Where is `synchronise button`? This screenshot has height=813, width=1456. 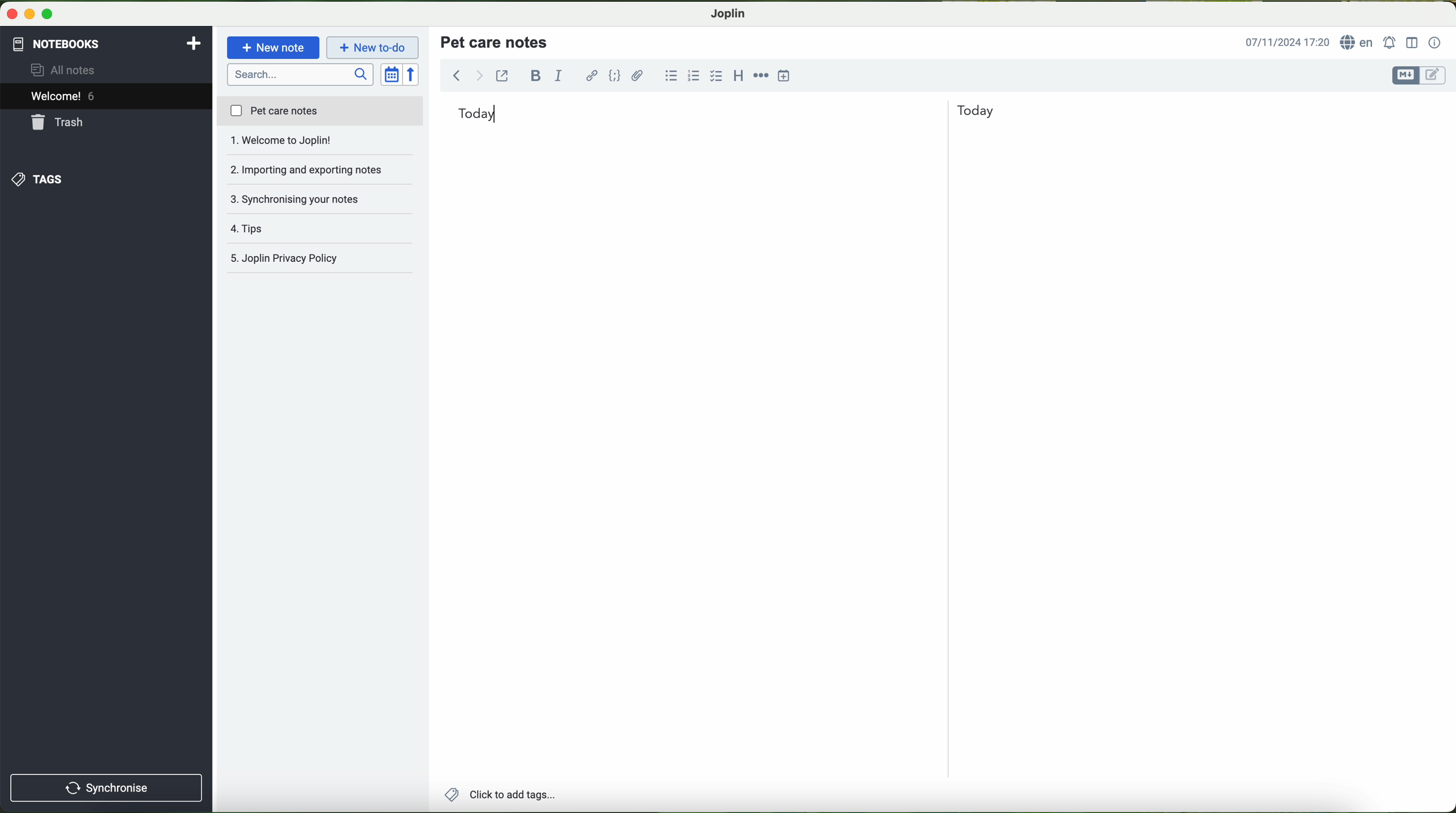
synchronise button is located at coordinates (106, 788).